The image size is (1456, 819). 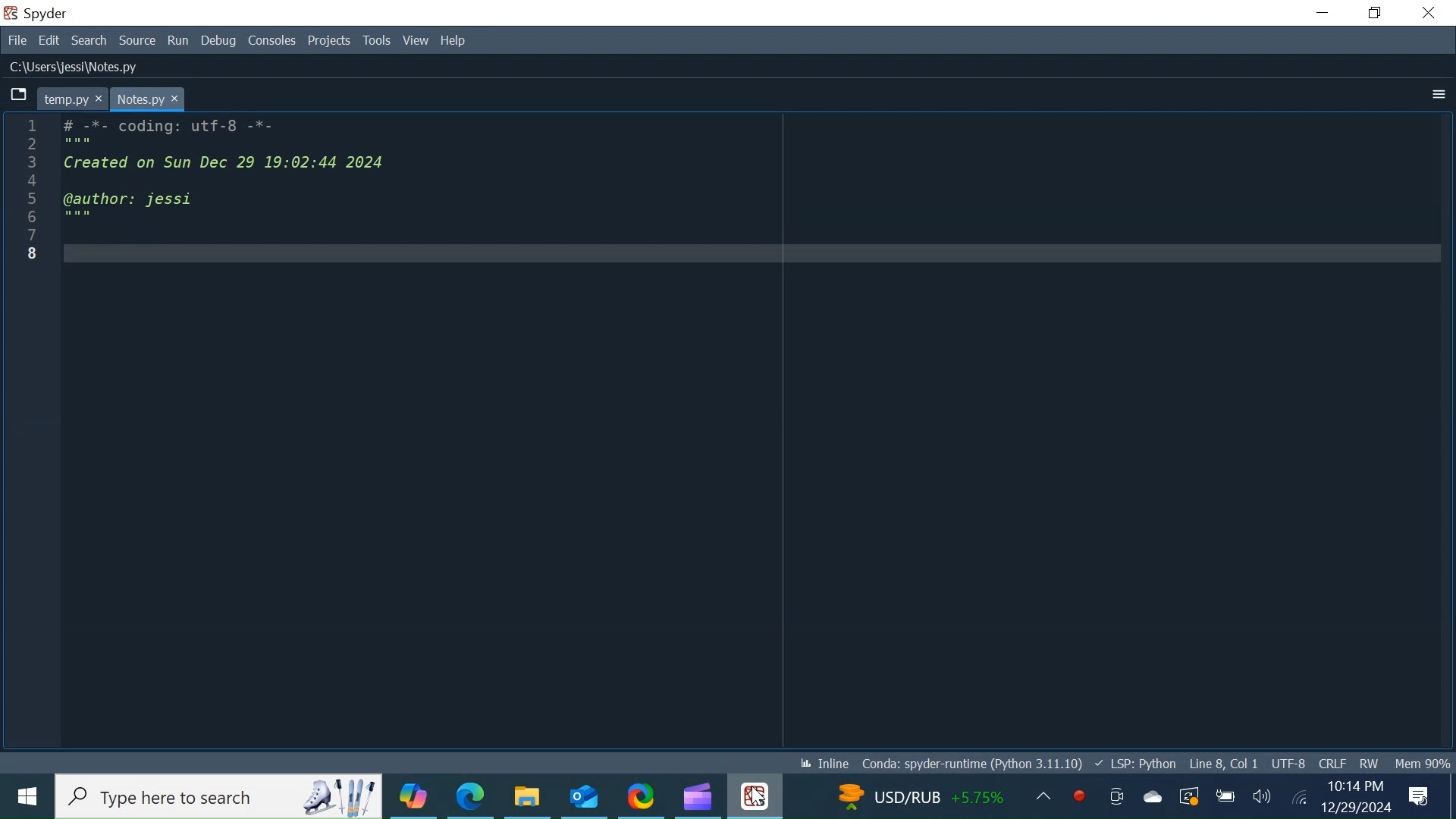 I want to click on Outlook Desktop Icon, so click(x=585, y=795).